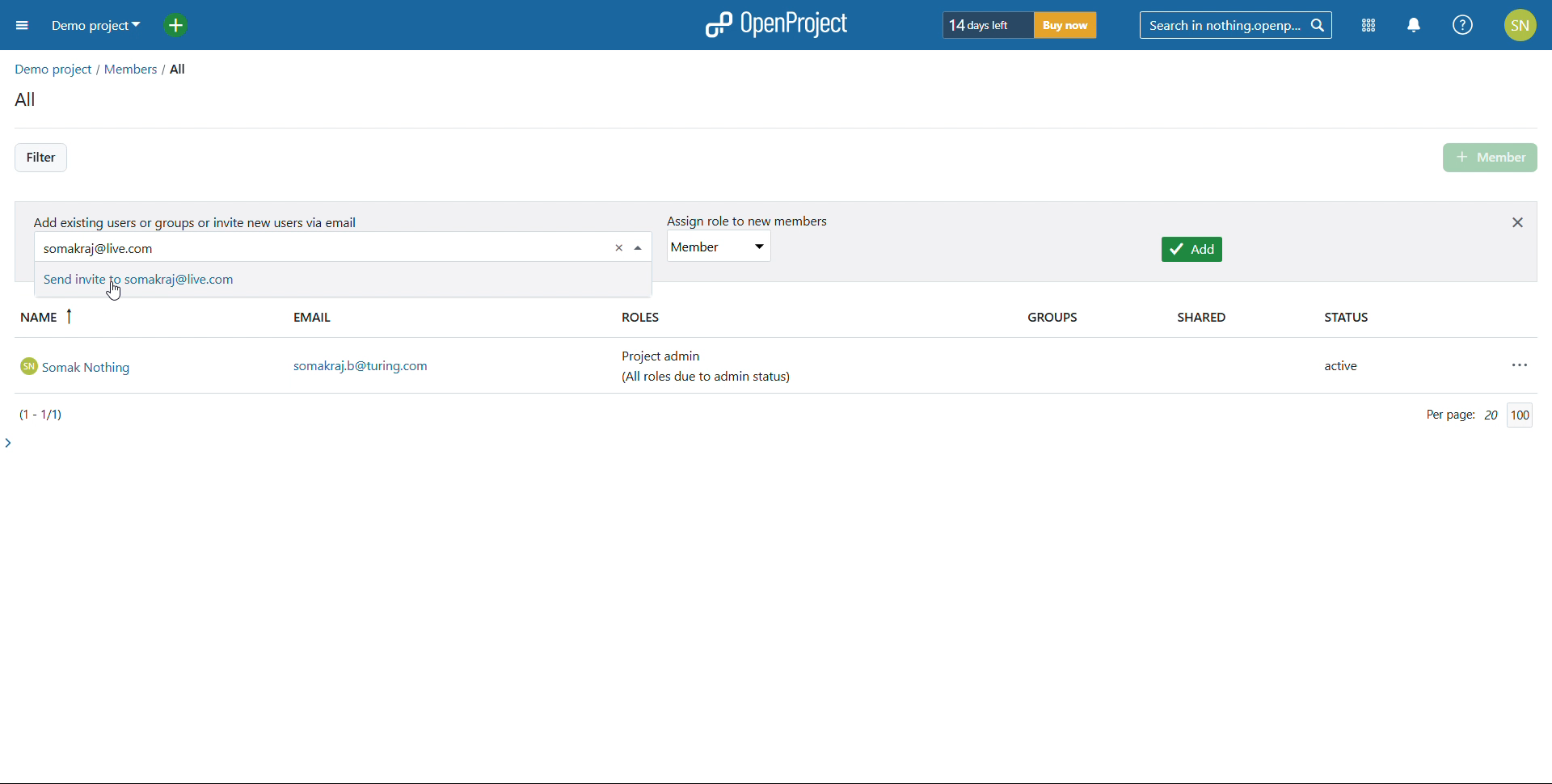  What do you see at coordinates (1192, 250) in the screenshot?
I see `add` at bounding box center [1192, 250].